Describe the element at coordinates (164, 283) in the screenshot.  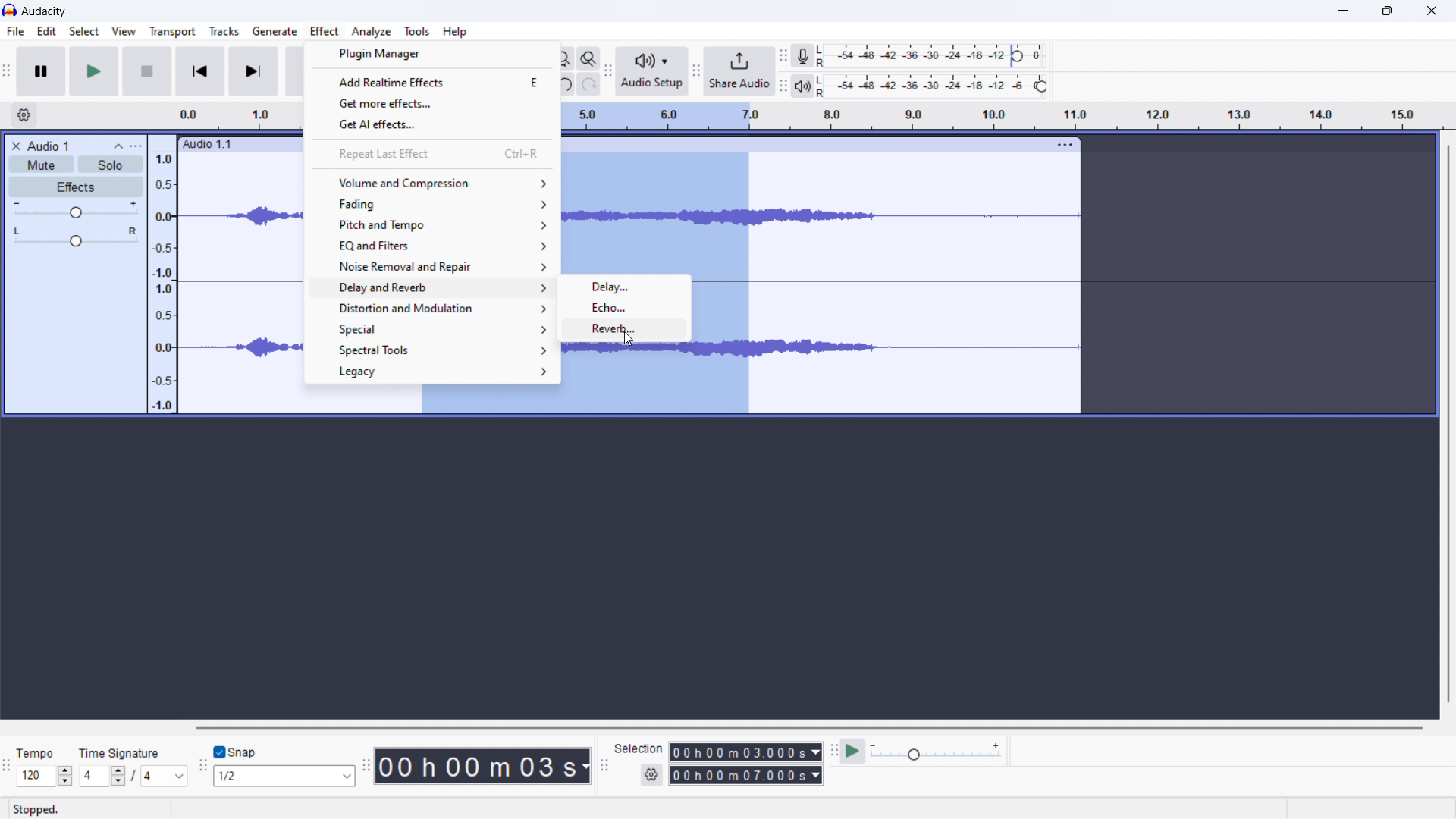
I see `amplitude` at that location.